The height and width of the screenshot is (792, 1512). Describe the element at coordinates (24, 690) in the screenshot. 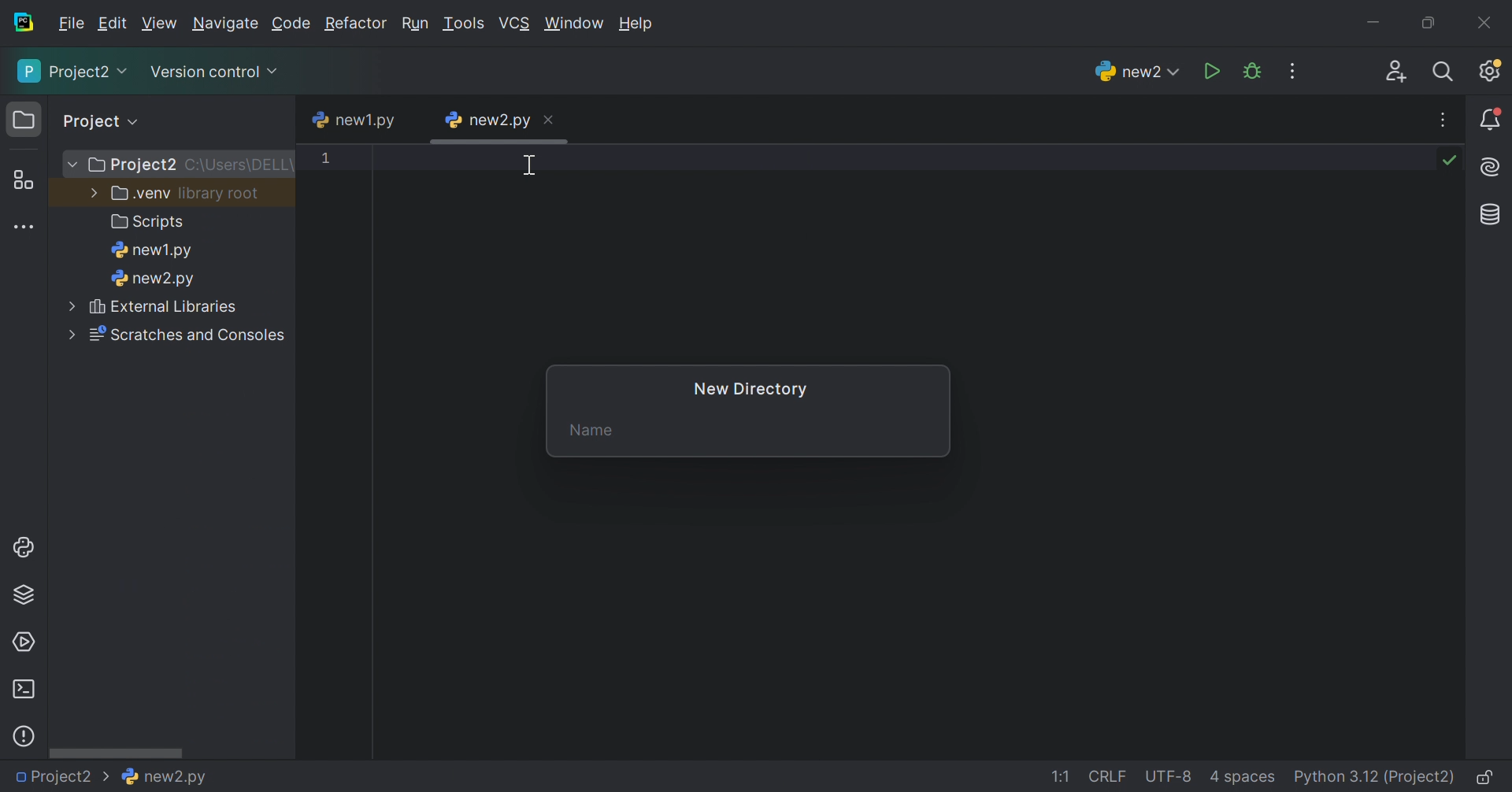

I see `Terminal` at that location.